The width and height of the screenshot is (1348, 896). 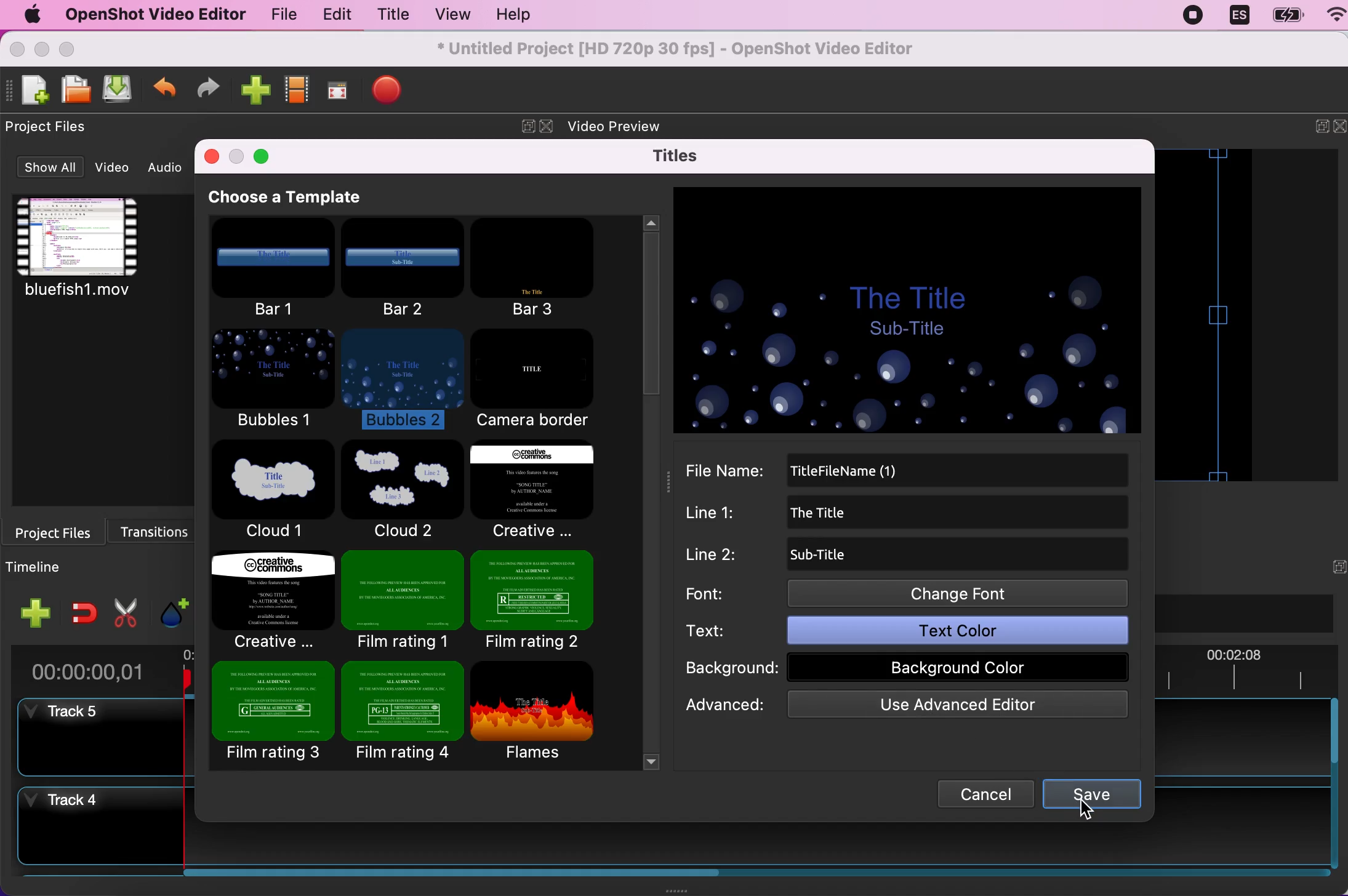 What do you see at coordinates (100, 257) in the screenshot?
I see `video` at bounding box center [100, 257].